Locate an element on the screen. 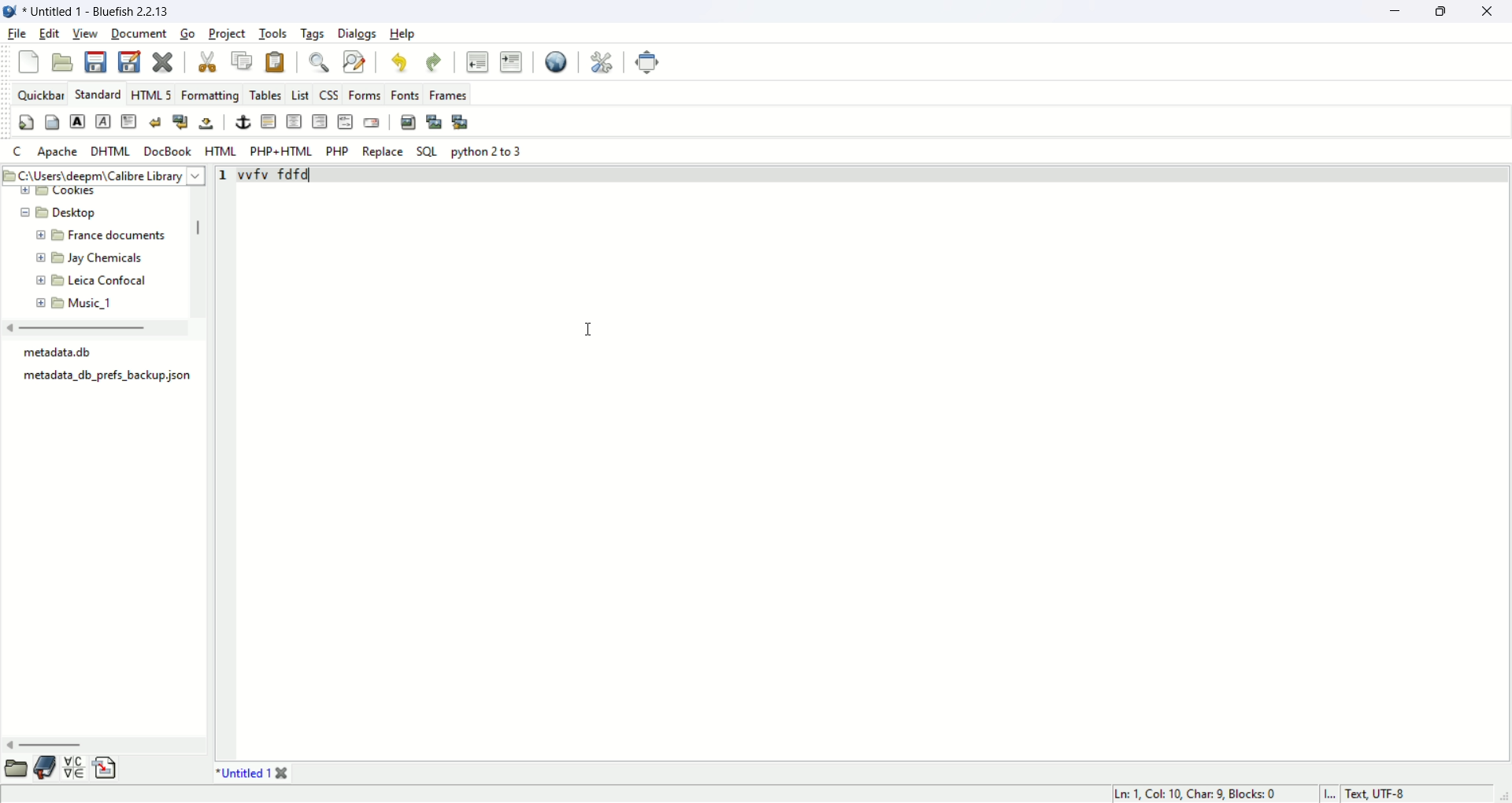  copy is located at coordinates (241, 61).